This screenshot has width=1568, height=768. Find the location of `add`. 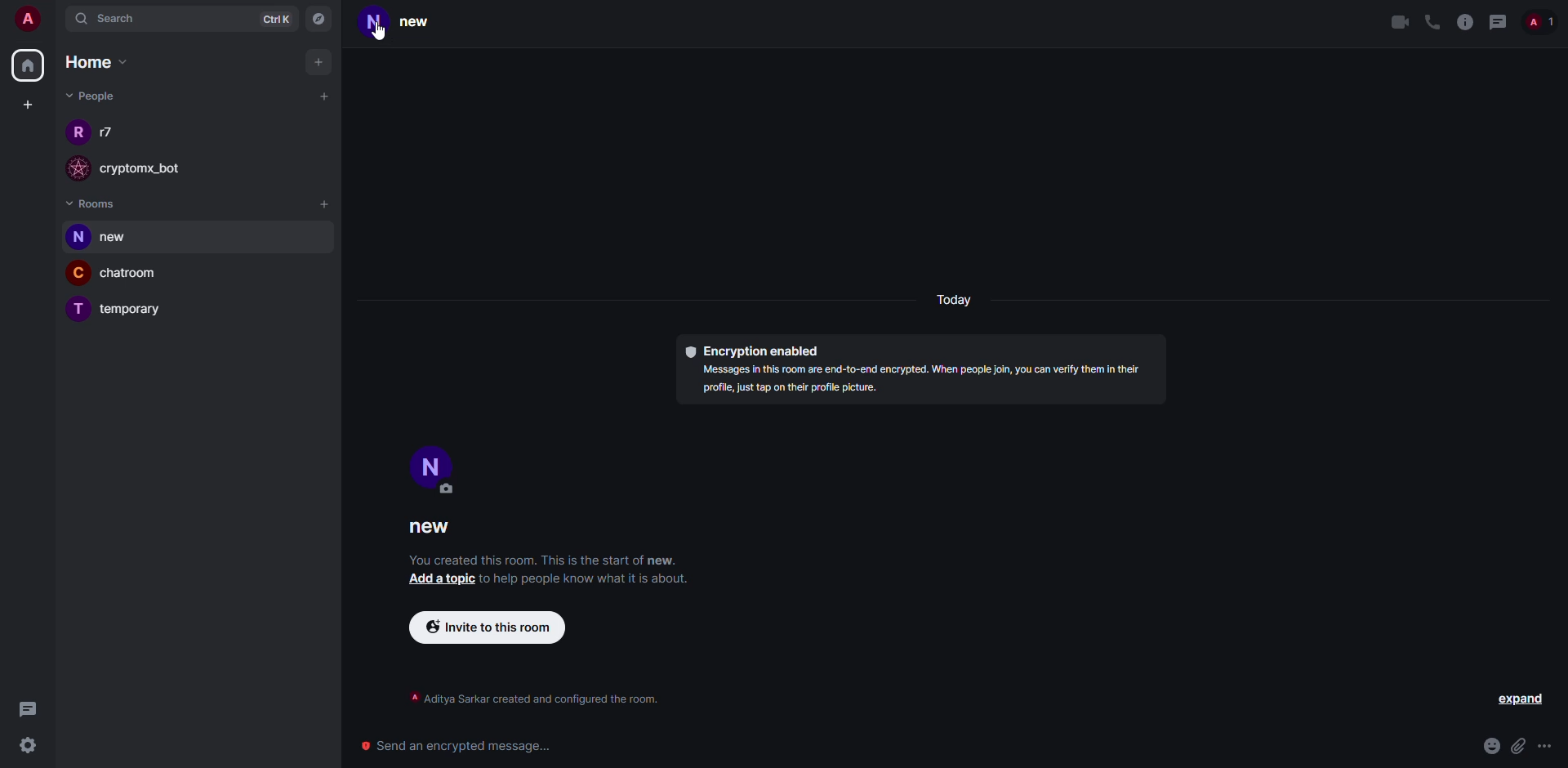

add is located at coordinates (321, 61).